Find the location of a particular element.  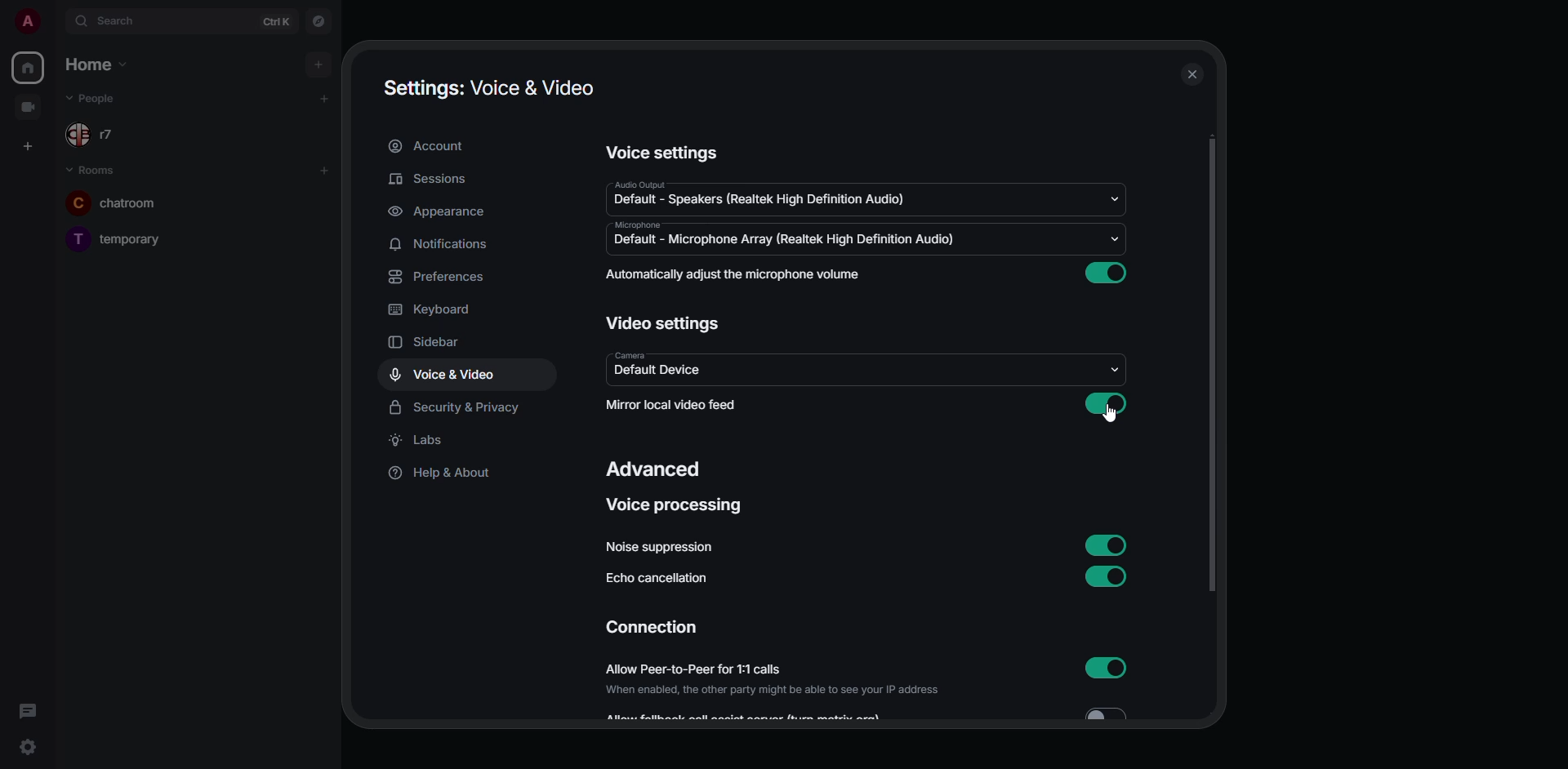

home is located at coordinates (98, 64).